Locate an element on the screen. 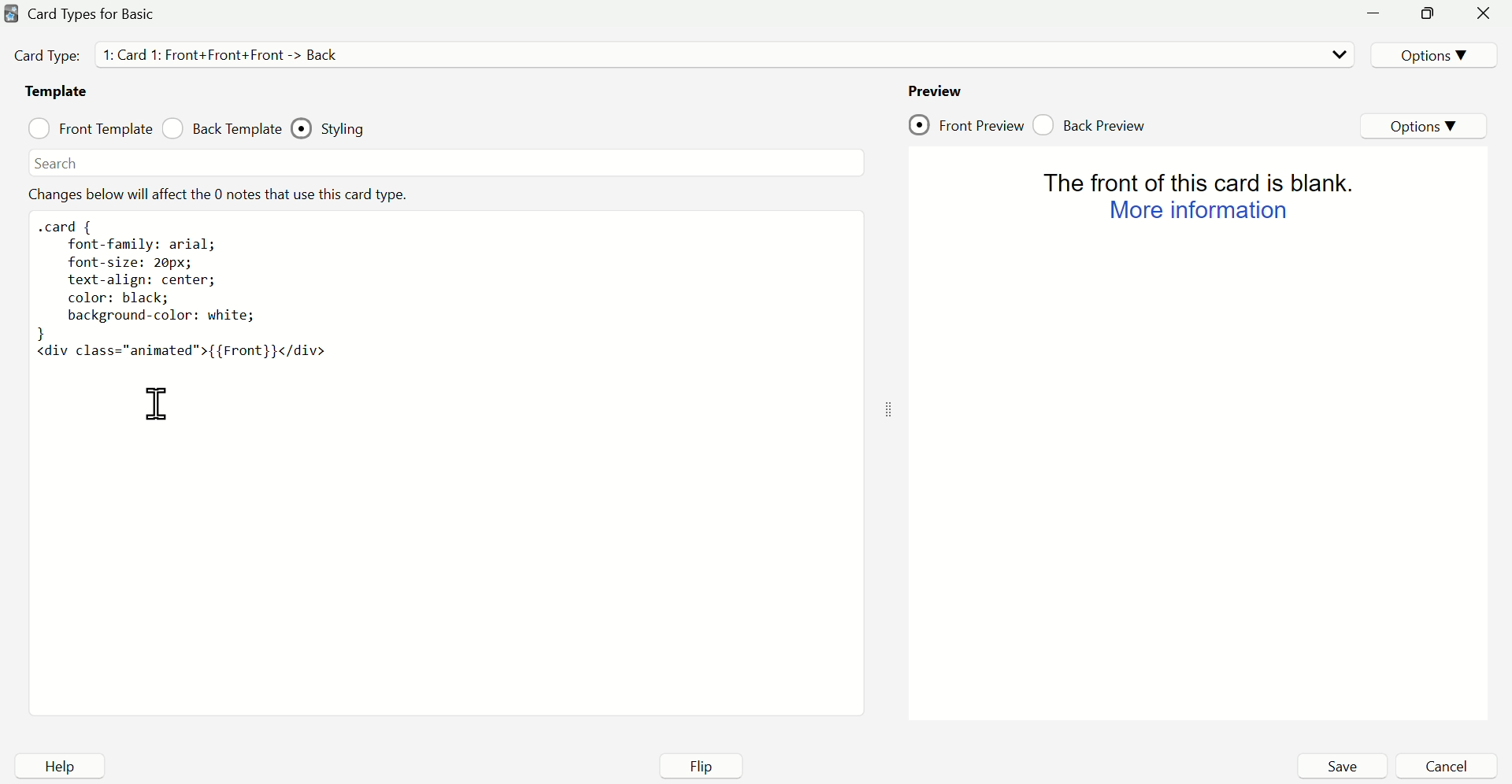 This screenshot has height=784, width=1512. Options is located at coordinates (1430, 53).